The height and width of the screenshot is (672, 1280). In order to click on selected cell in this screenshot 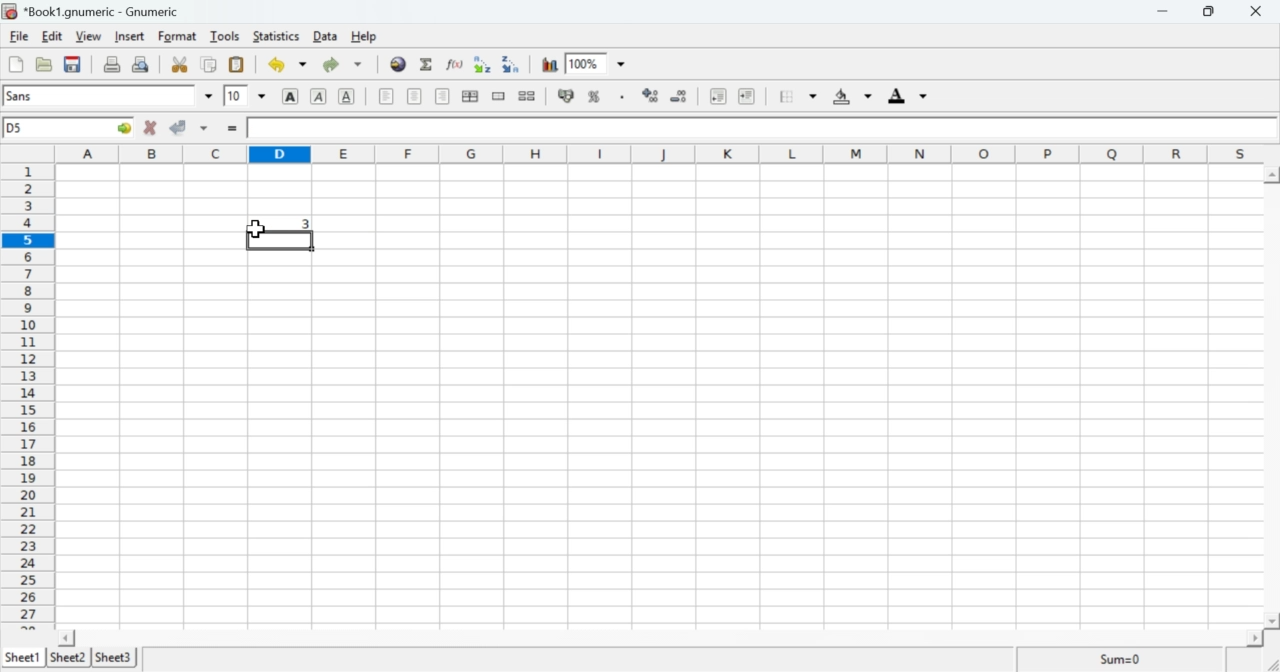, I will do `click(280, 240)`.